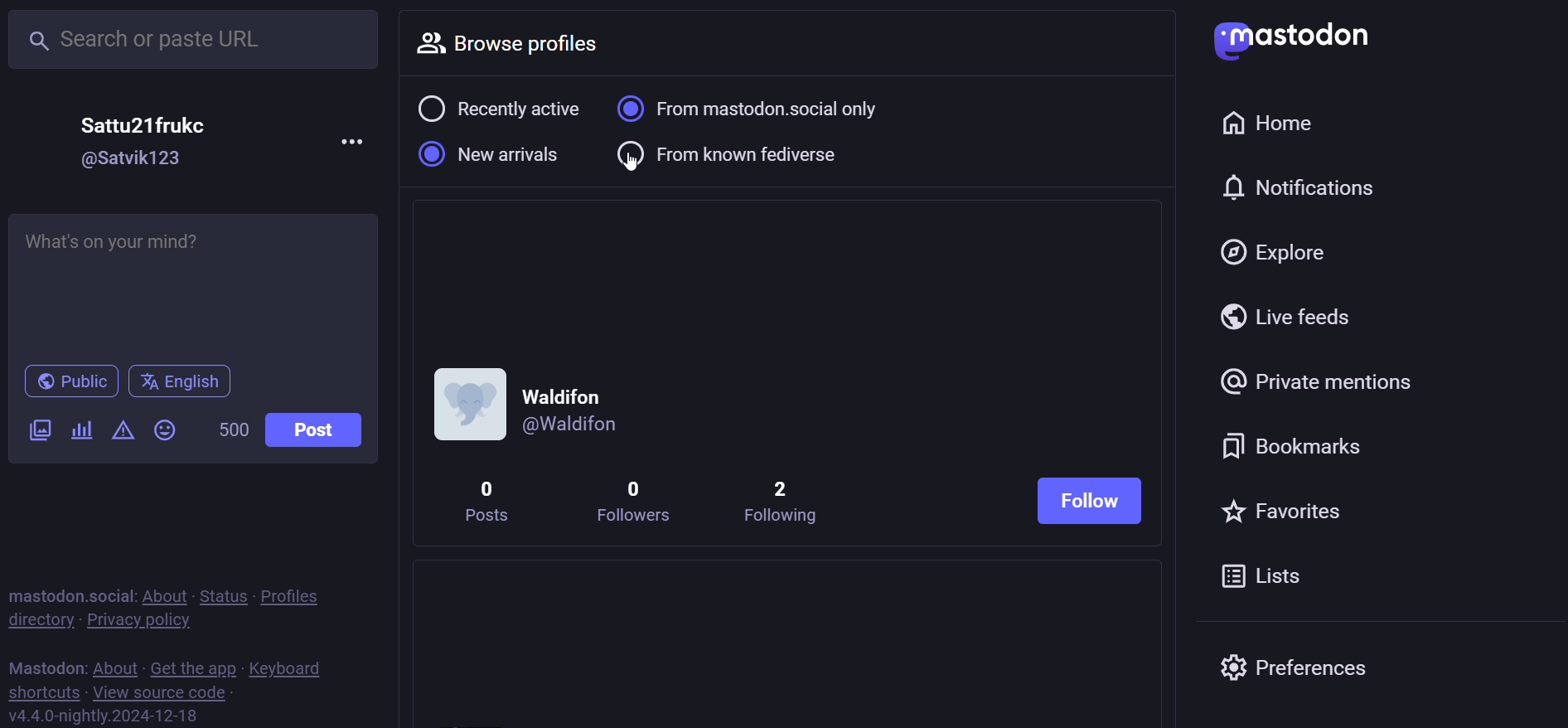 The height and width of the screenshot is (728, 1568). I want to click on english, so click(181, 384).